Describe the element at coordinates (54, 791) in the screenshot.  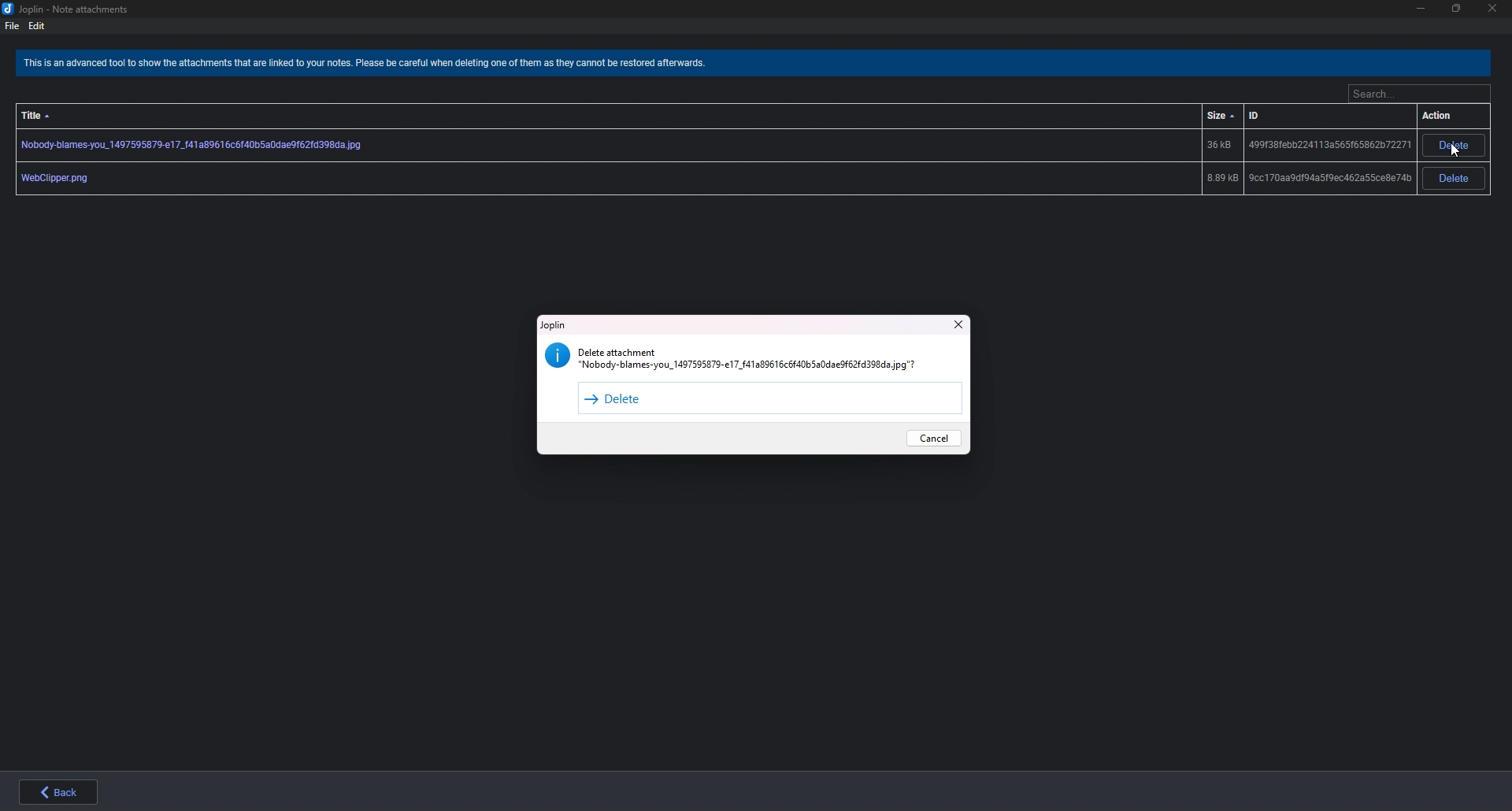
I see `back` at that location.